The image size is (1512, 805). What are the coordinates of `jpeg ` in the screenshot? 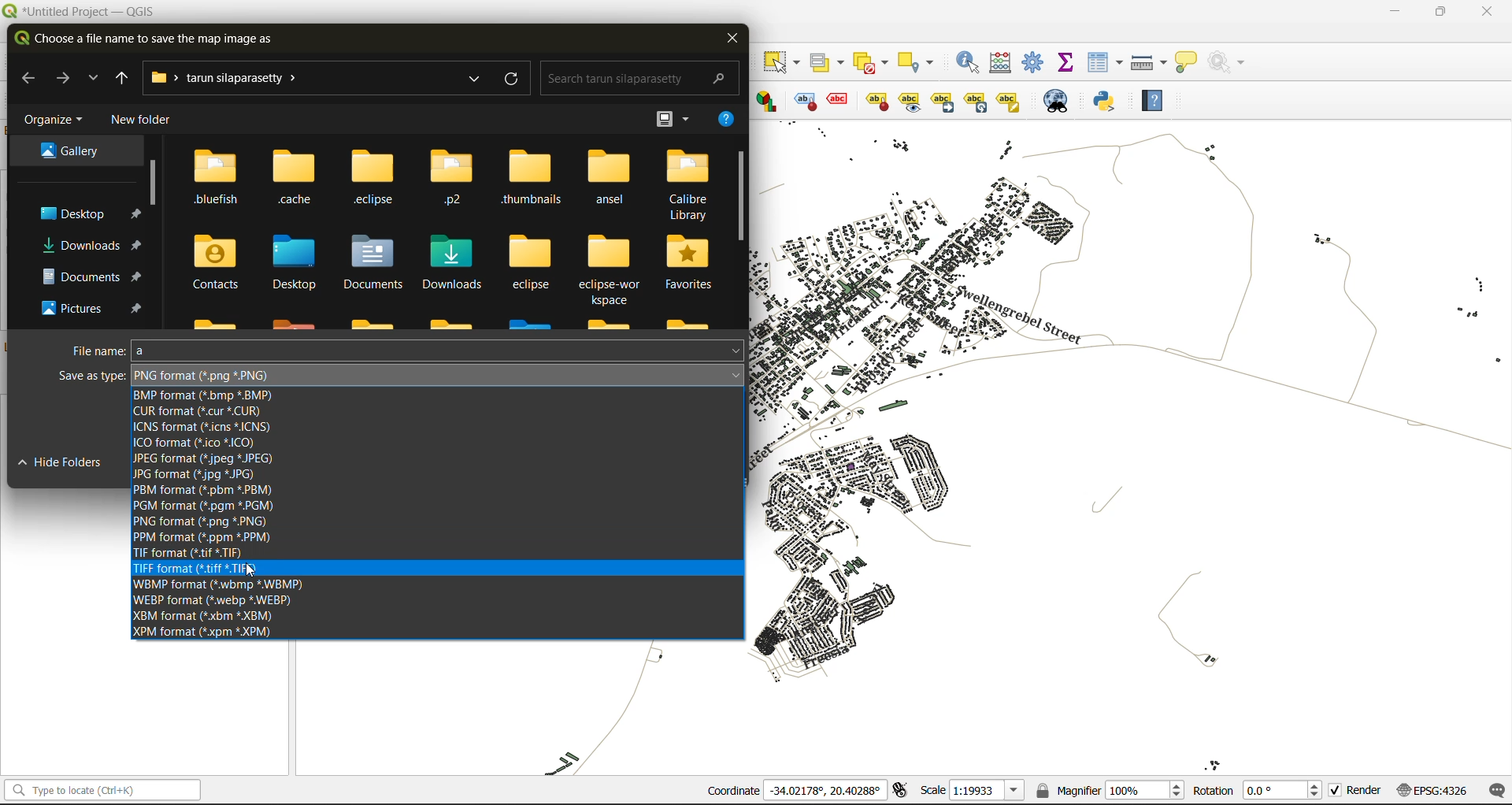 It's located at (209, 460).